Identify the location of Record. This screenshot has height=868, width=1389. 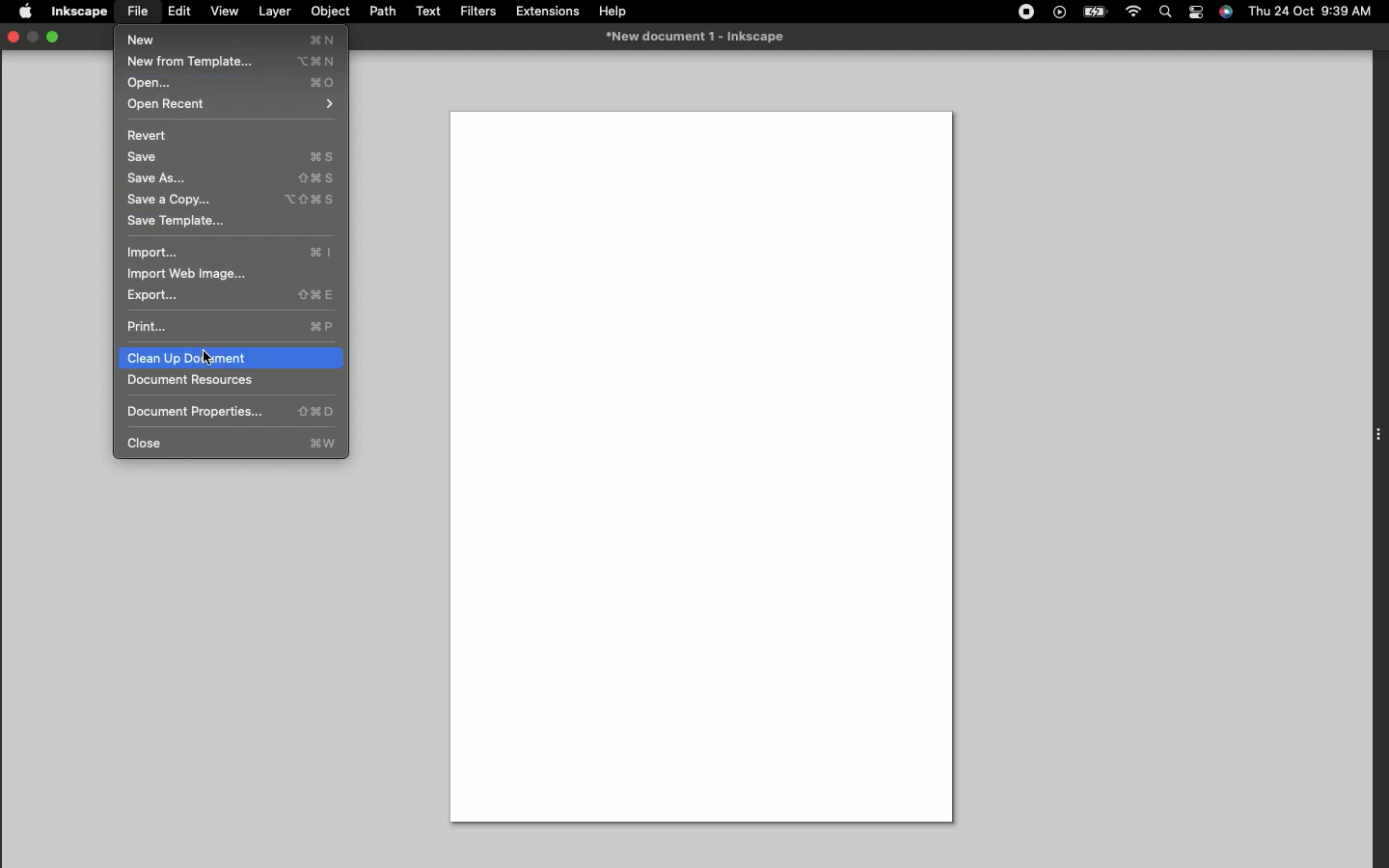
(1026, 13).